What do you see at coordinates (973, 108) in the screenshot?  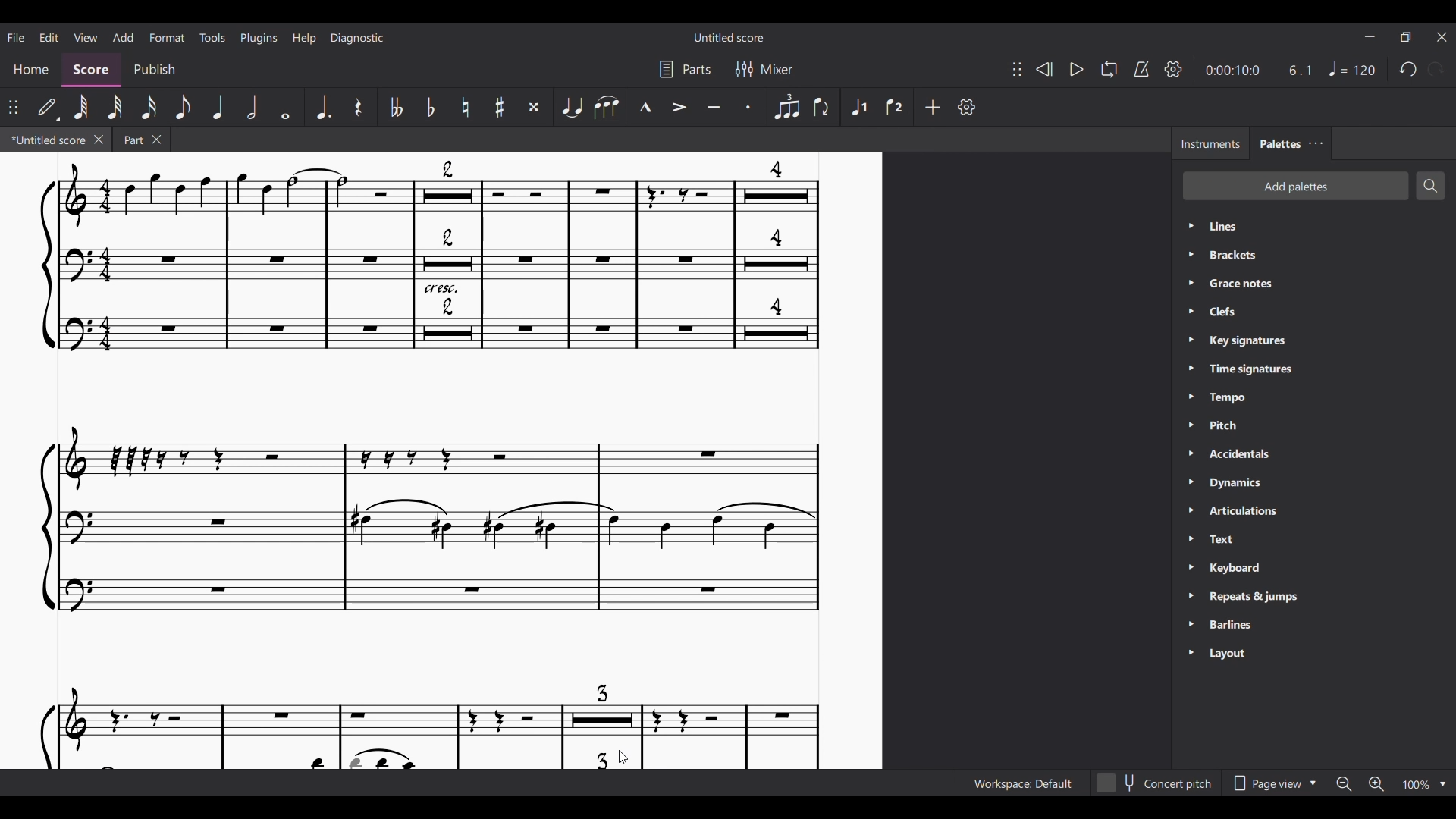 I see `settings` at bounding box center [973, 108].